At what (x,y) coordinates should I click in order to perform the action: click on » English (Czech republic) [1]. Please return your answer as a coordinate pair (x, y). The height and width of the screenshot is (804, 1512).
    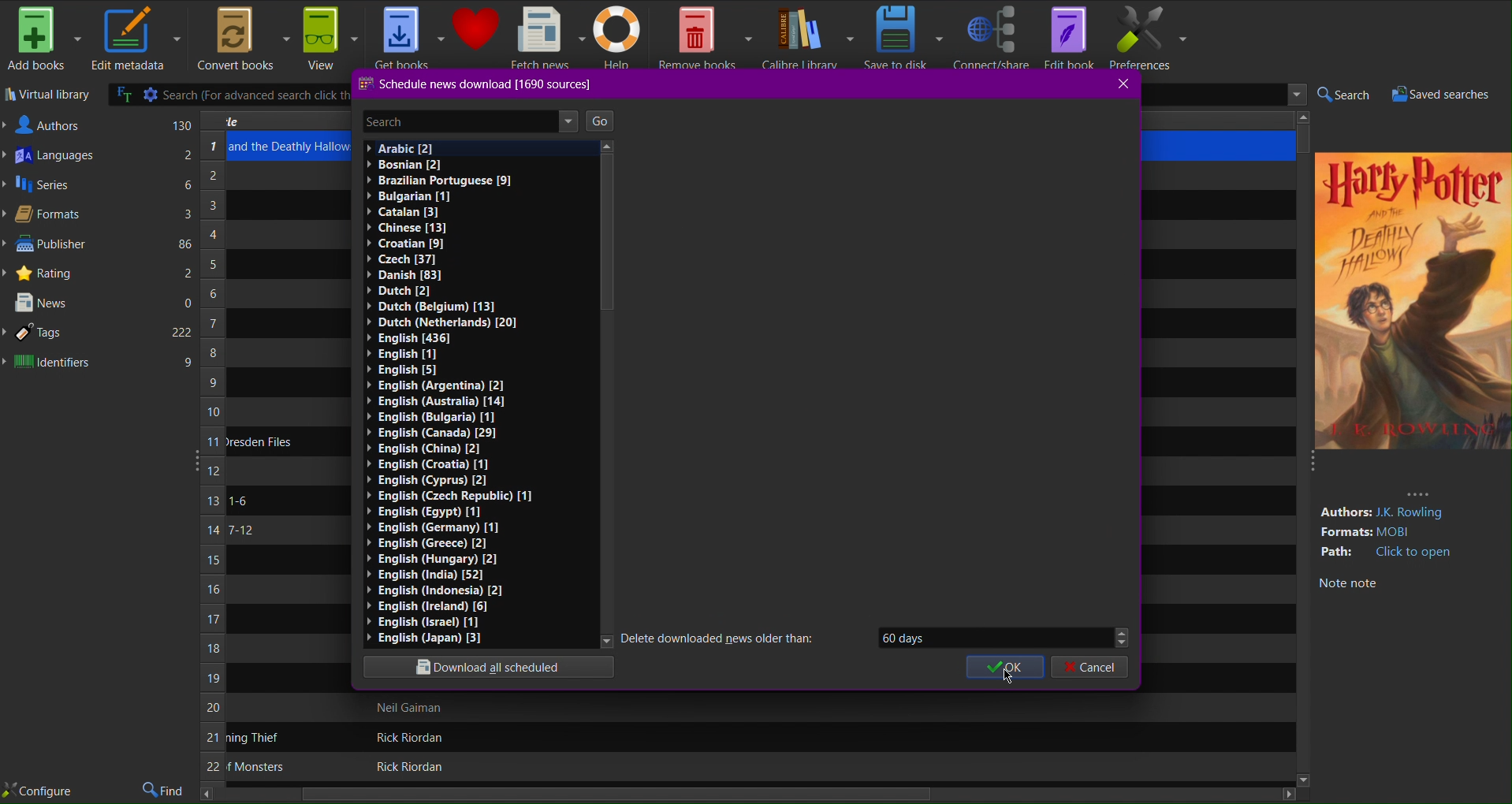
    Looking at the image, I should click on (449, 495).